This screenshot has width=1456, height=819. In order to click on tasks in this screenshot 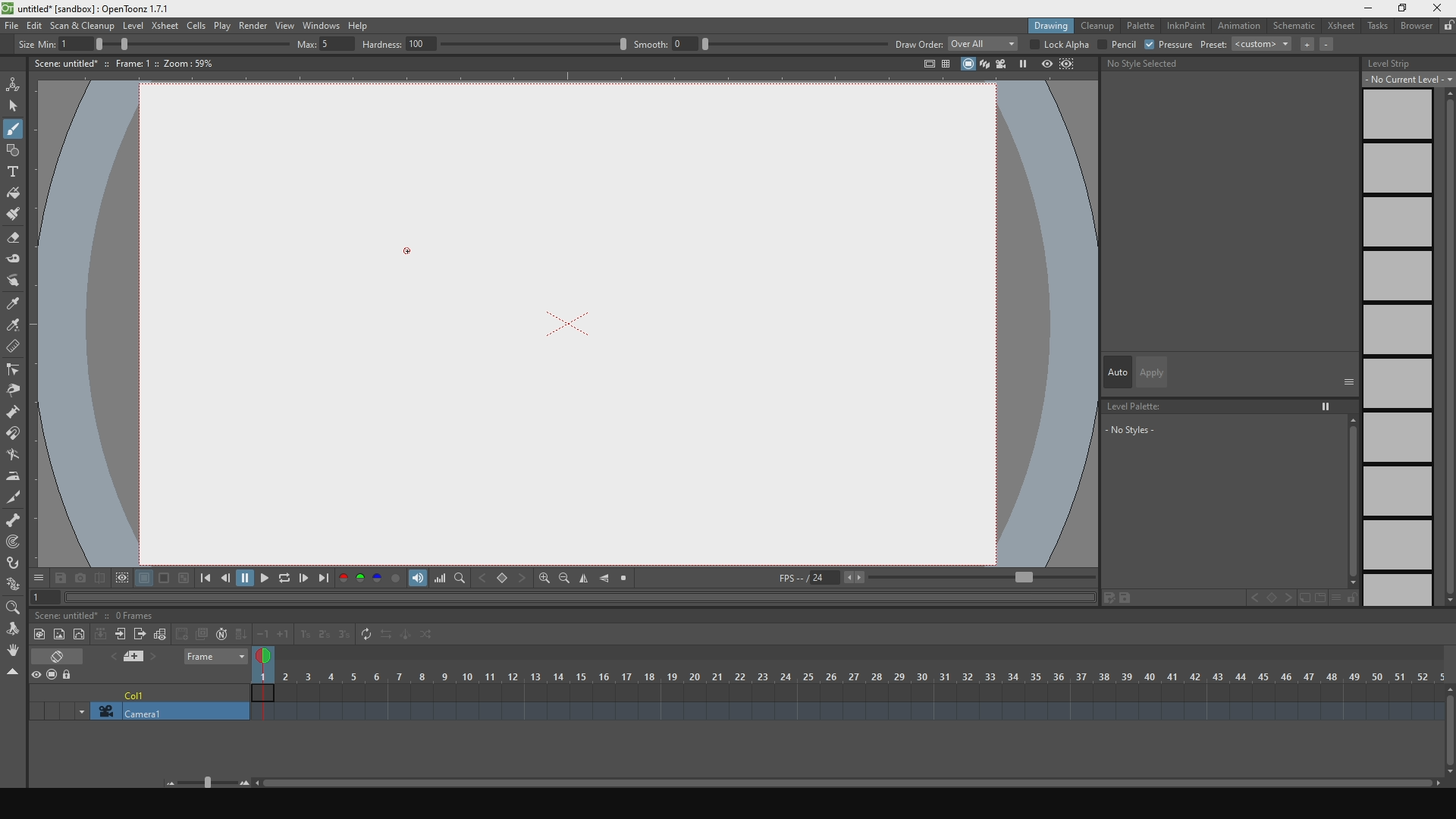, I will do `click(1379, 30)`.